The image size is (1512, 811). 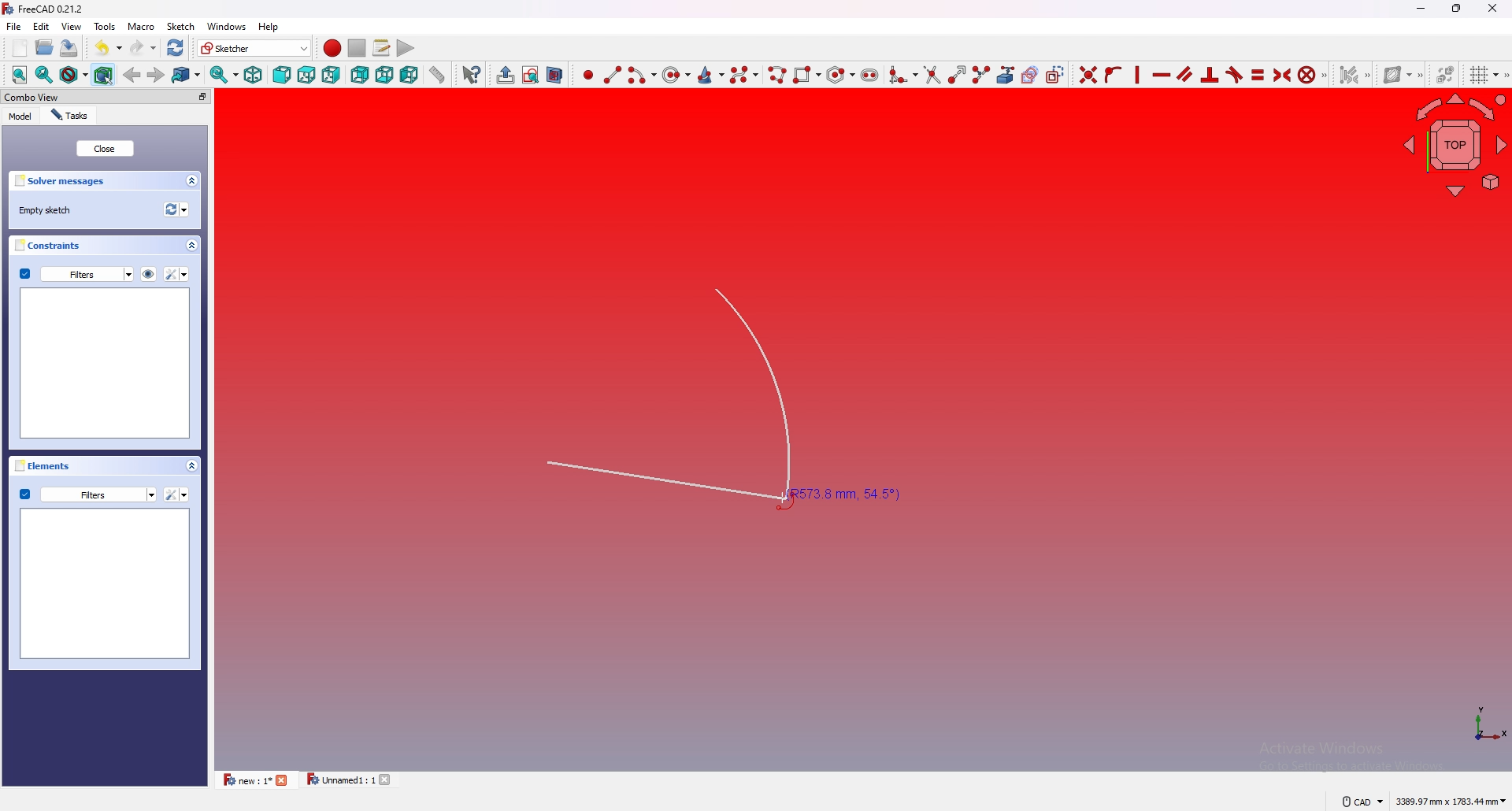 I want to click on combo view, so click(x=69, y=97).